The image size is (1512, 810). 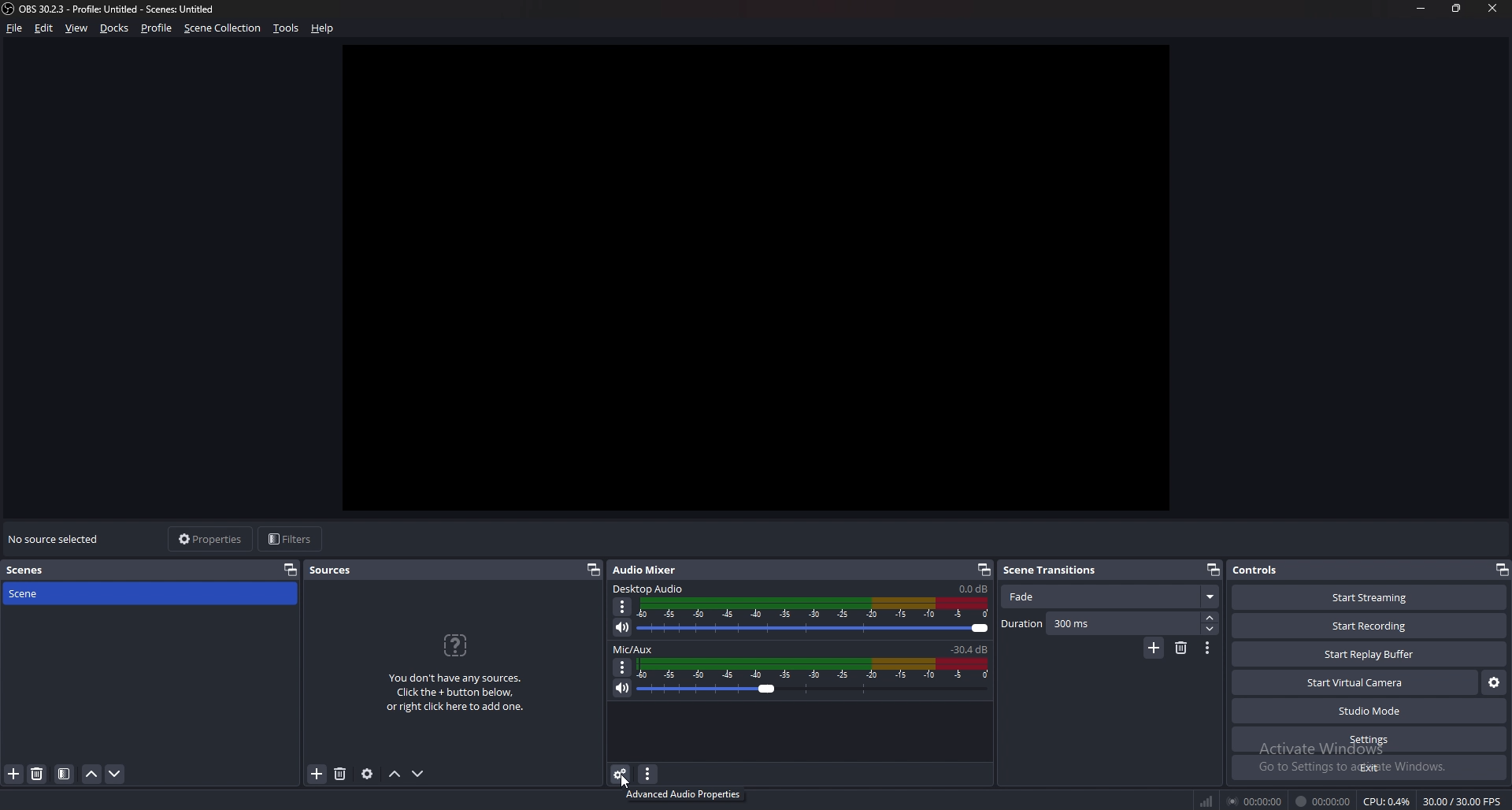 What do you see at coordinates (32, 570) in the screenshot?
I see `scenes` at bounding box center [32, 570].